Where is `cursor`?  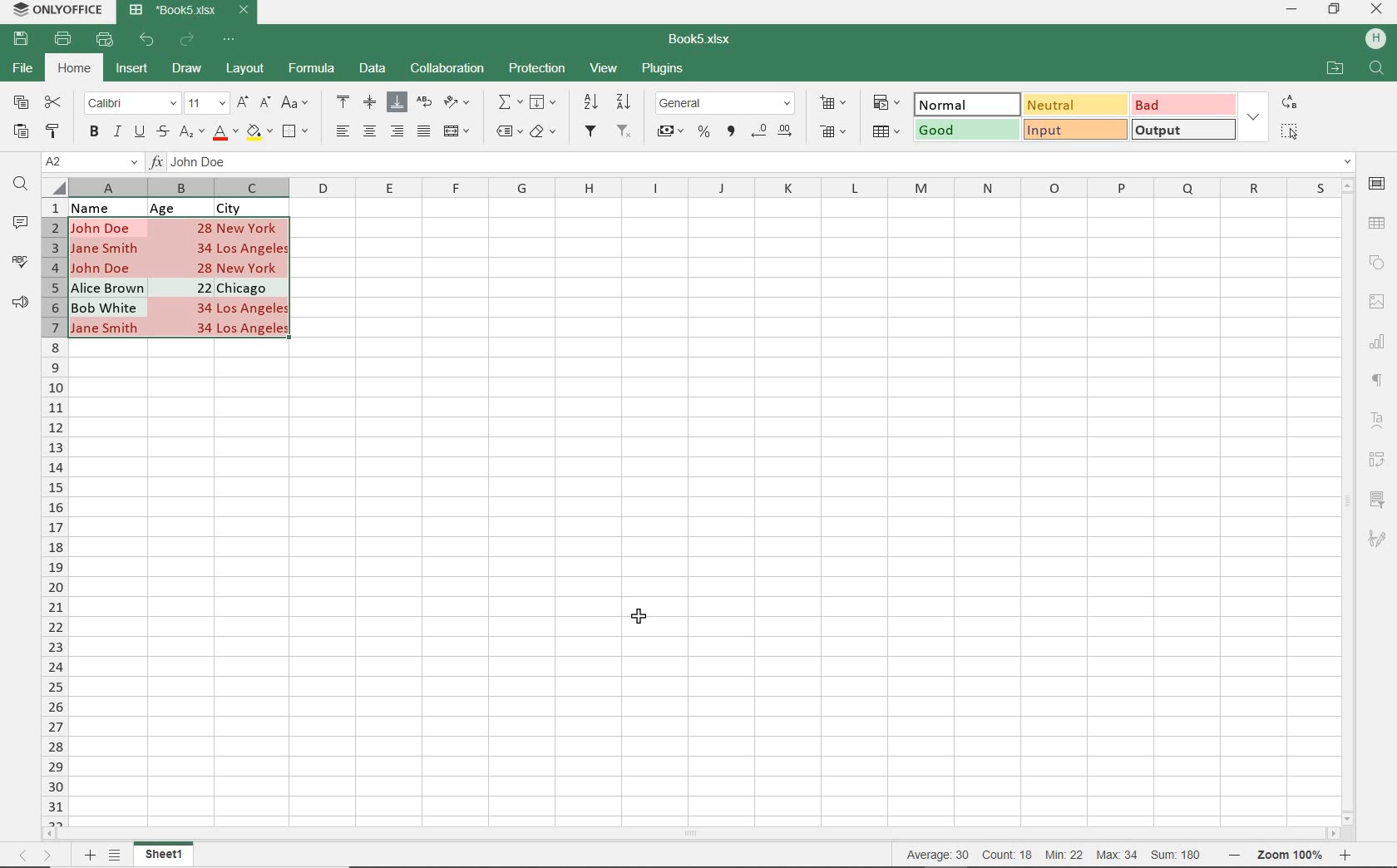 cursor is located at coordinates (642, 614).